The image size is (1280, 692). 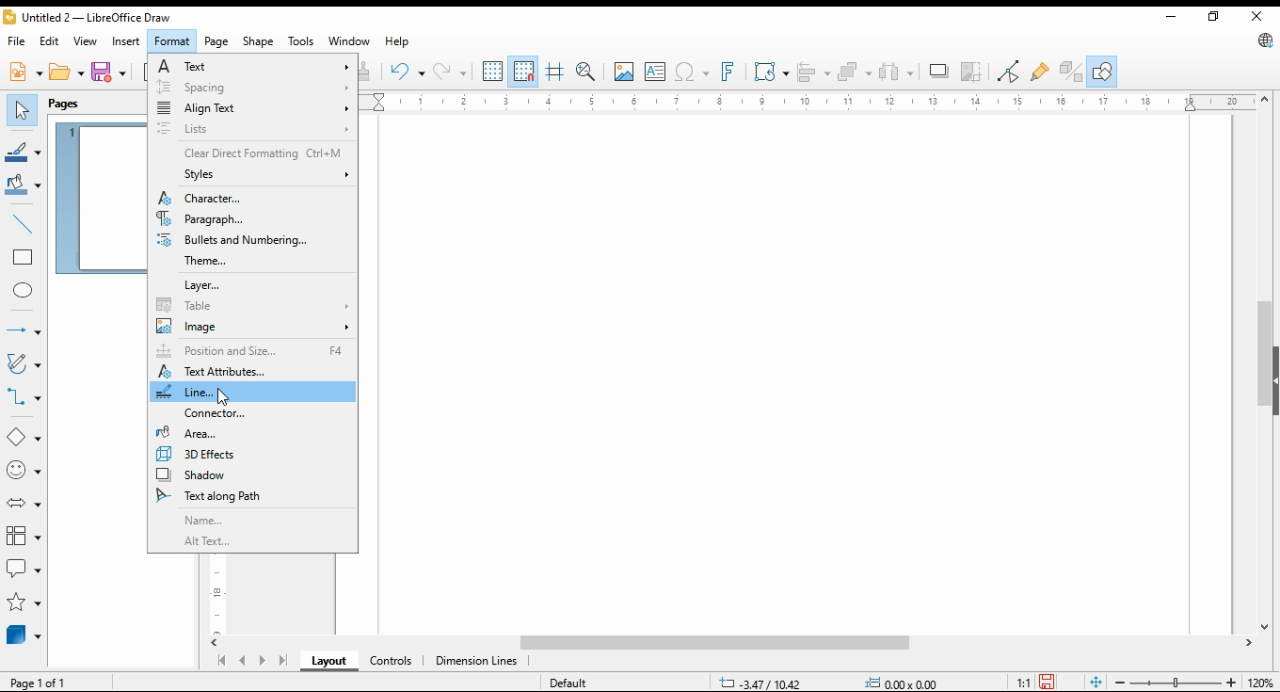 I want to click on toggle point edit mode, so click(x=1009, y=71).